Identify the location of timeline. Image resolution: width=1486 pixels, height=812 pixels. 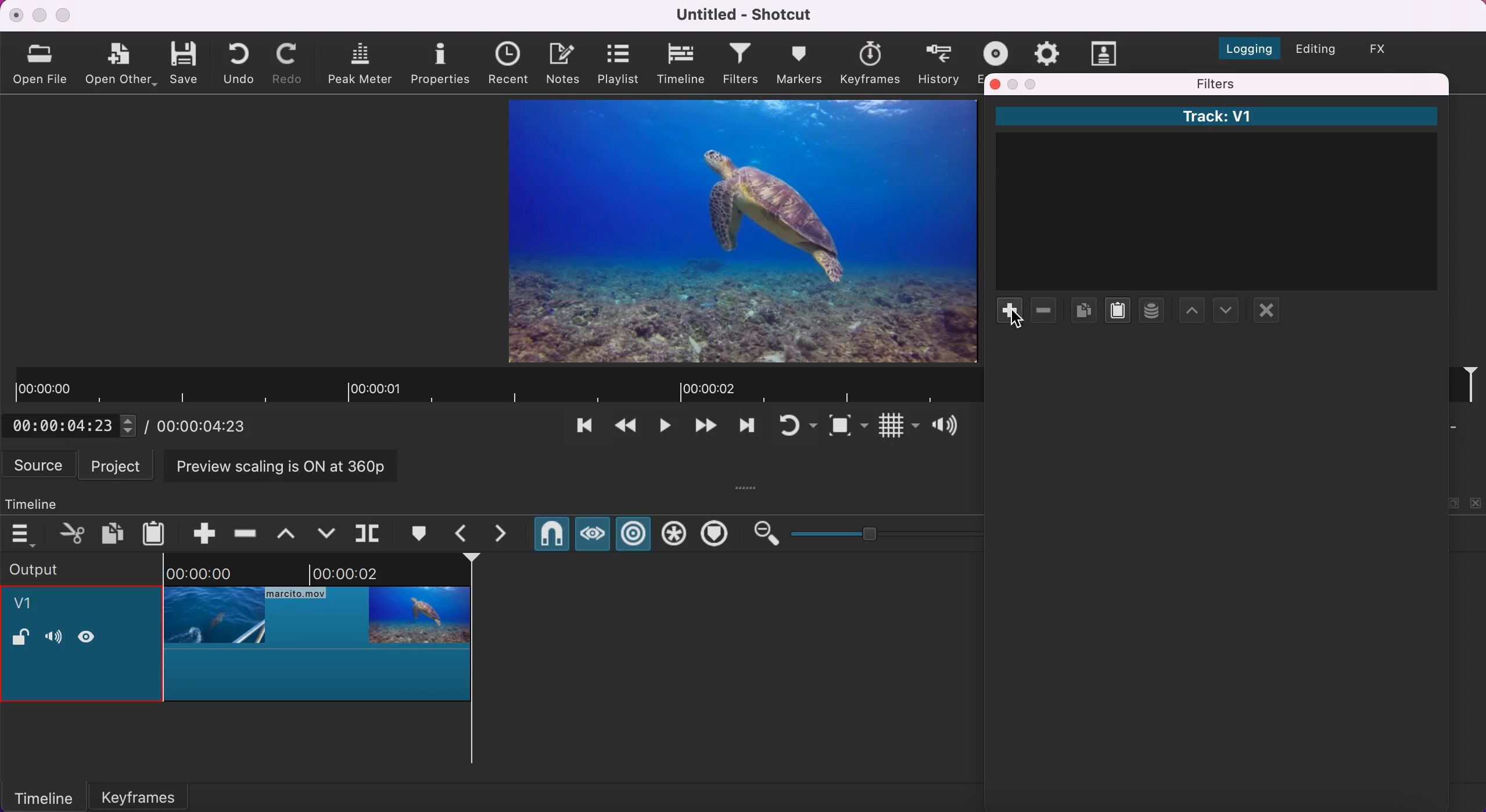
(43, 796).